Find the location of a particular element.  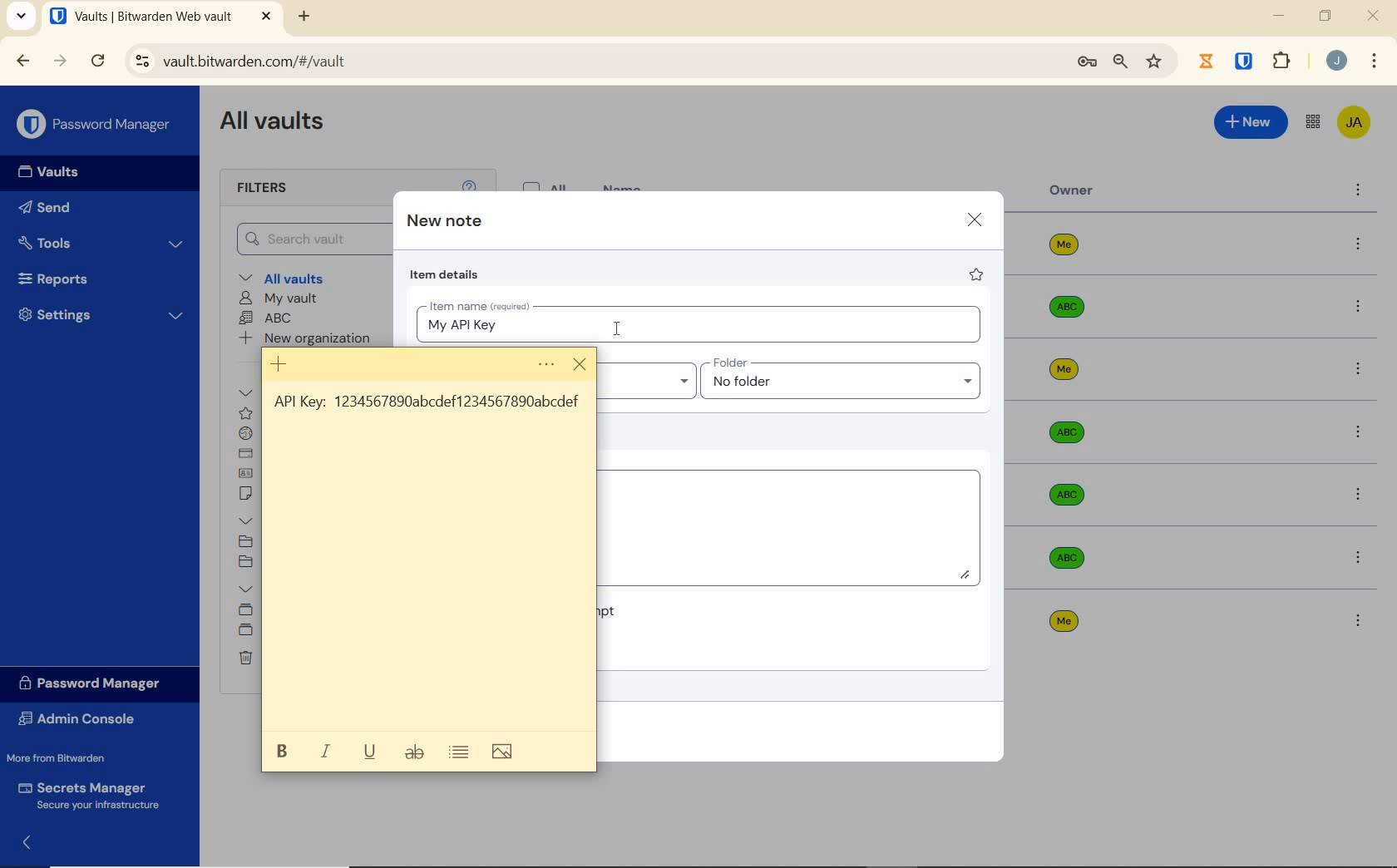

More from Bitwarden is located at coordinates (73, 758).